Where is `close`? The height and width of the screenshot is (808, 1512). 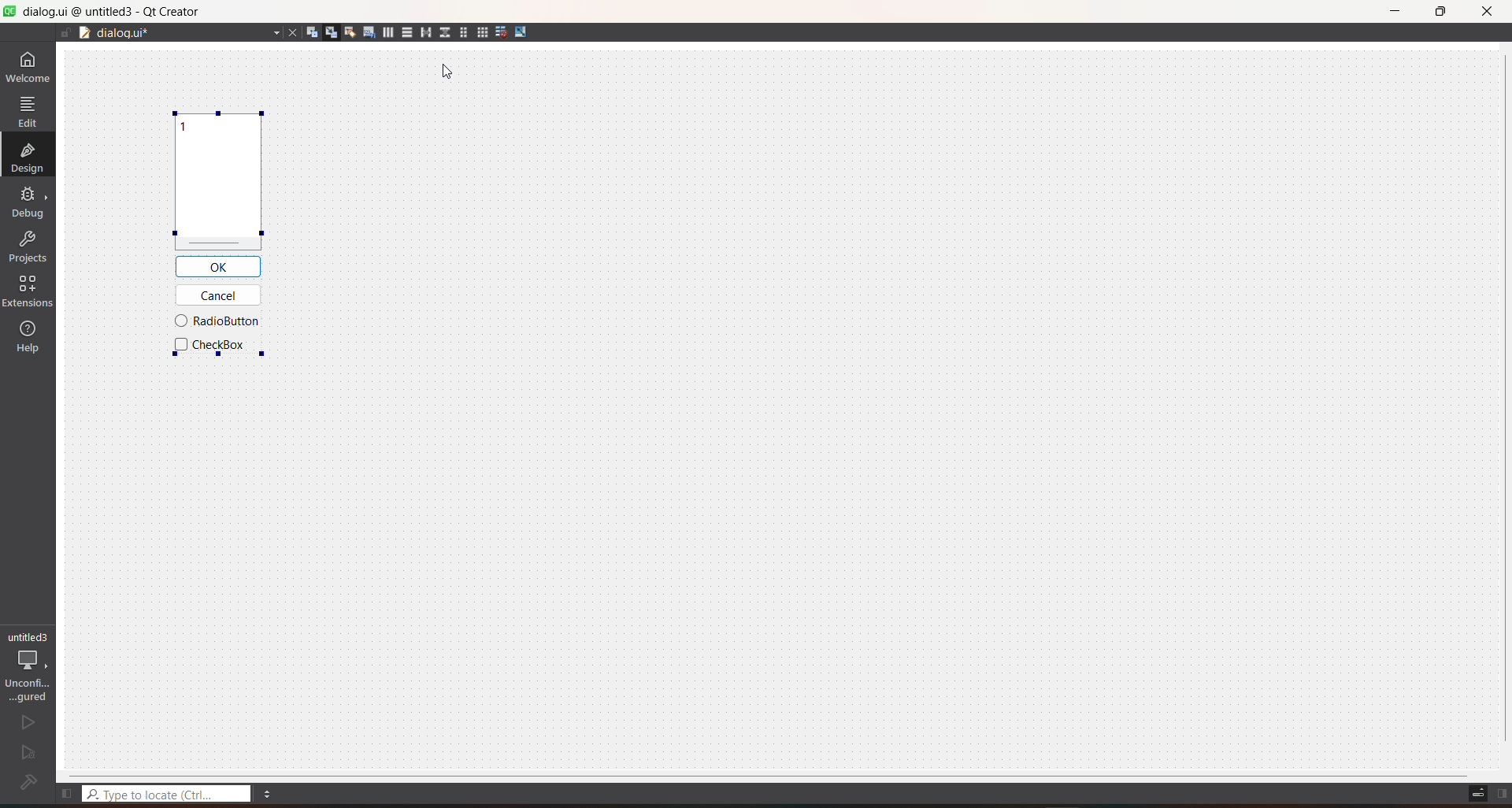
close is located at coordinates (1485, 10).